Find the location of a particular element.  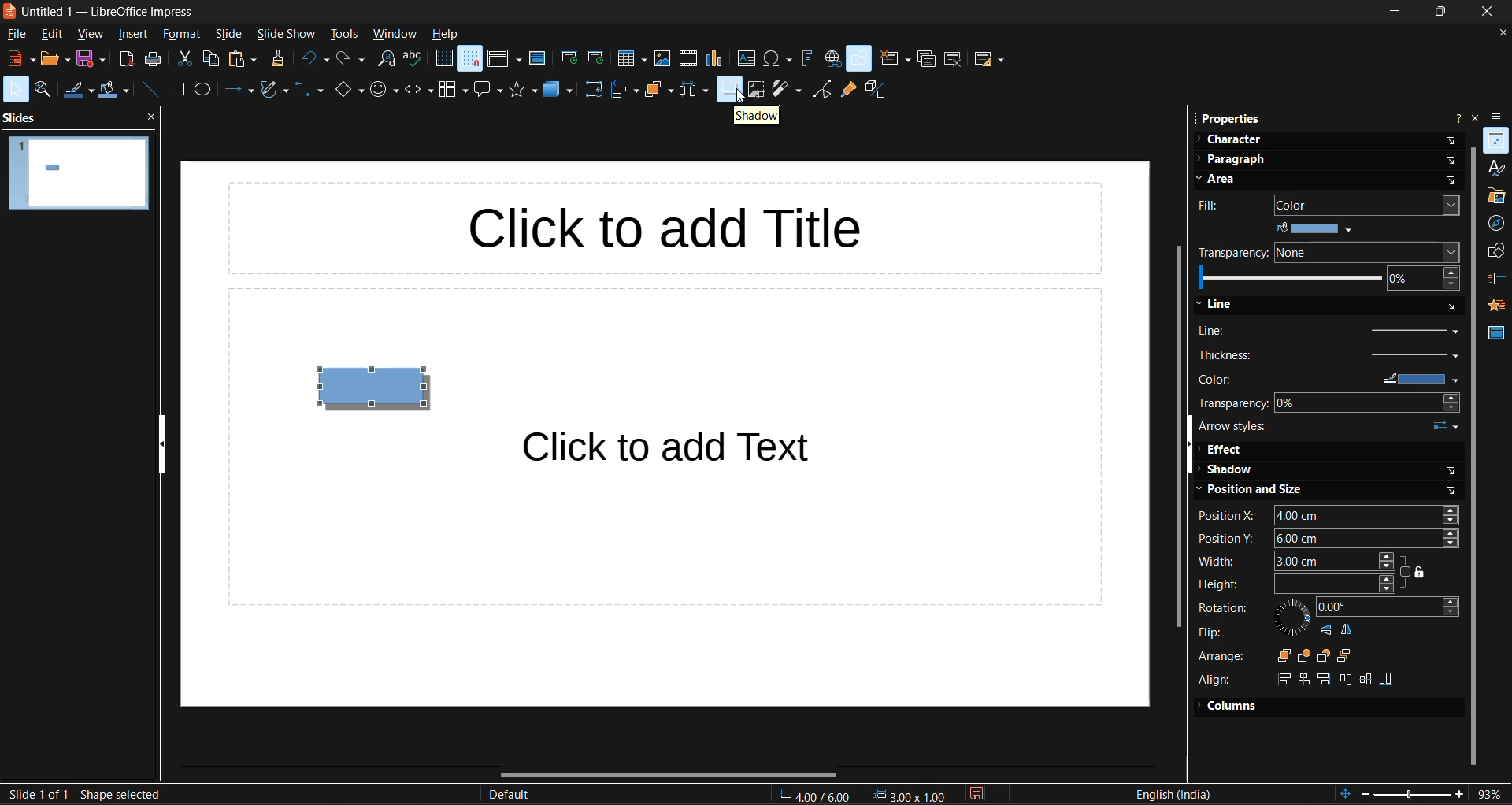

insert special characters is located at coordinates (776, 58).